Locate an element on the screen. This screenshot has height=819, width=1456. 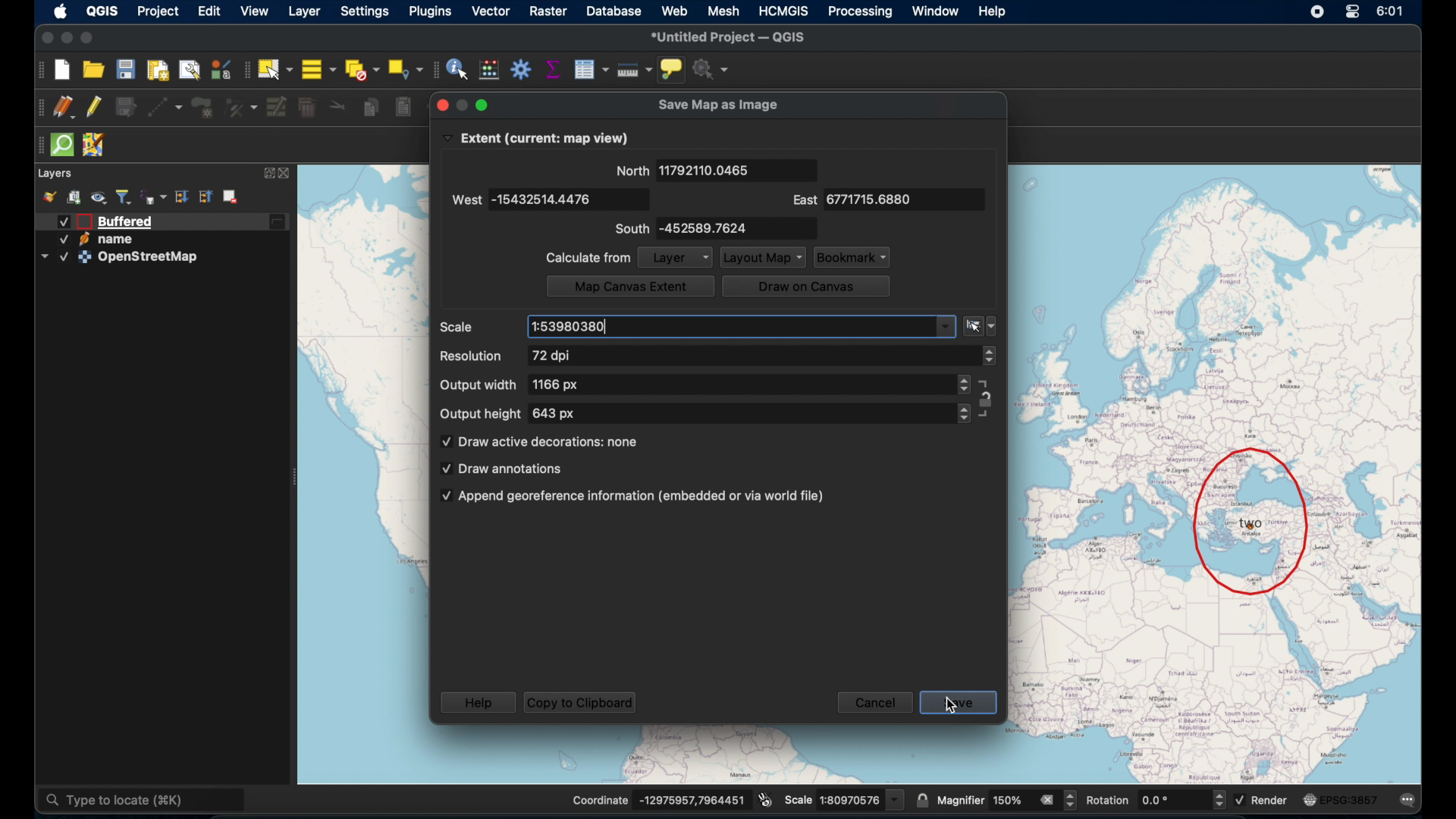
drag handle is located at coordinates (37, 145).